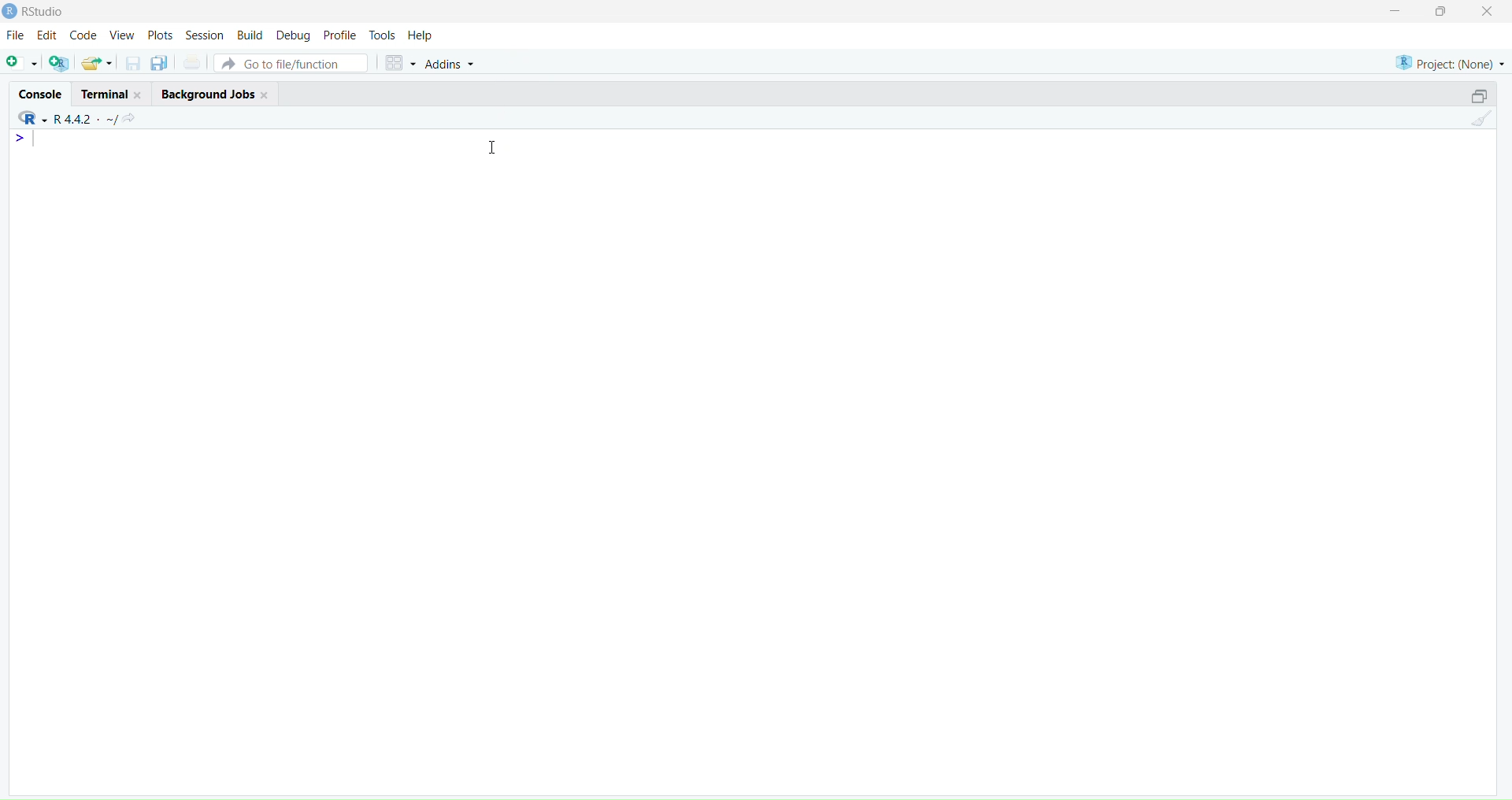 This screenshot has height=800, width=1512. What do you see at coordinates (87, 36) in the screenshot?
I see `code` at bounding box center [87, 36].